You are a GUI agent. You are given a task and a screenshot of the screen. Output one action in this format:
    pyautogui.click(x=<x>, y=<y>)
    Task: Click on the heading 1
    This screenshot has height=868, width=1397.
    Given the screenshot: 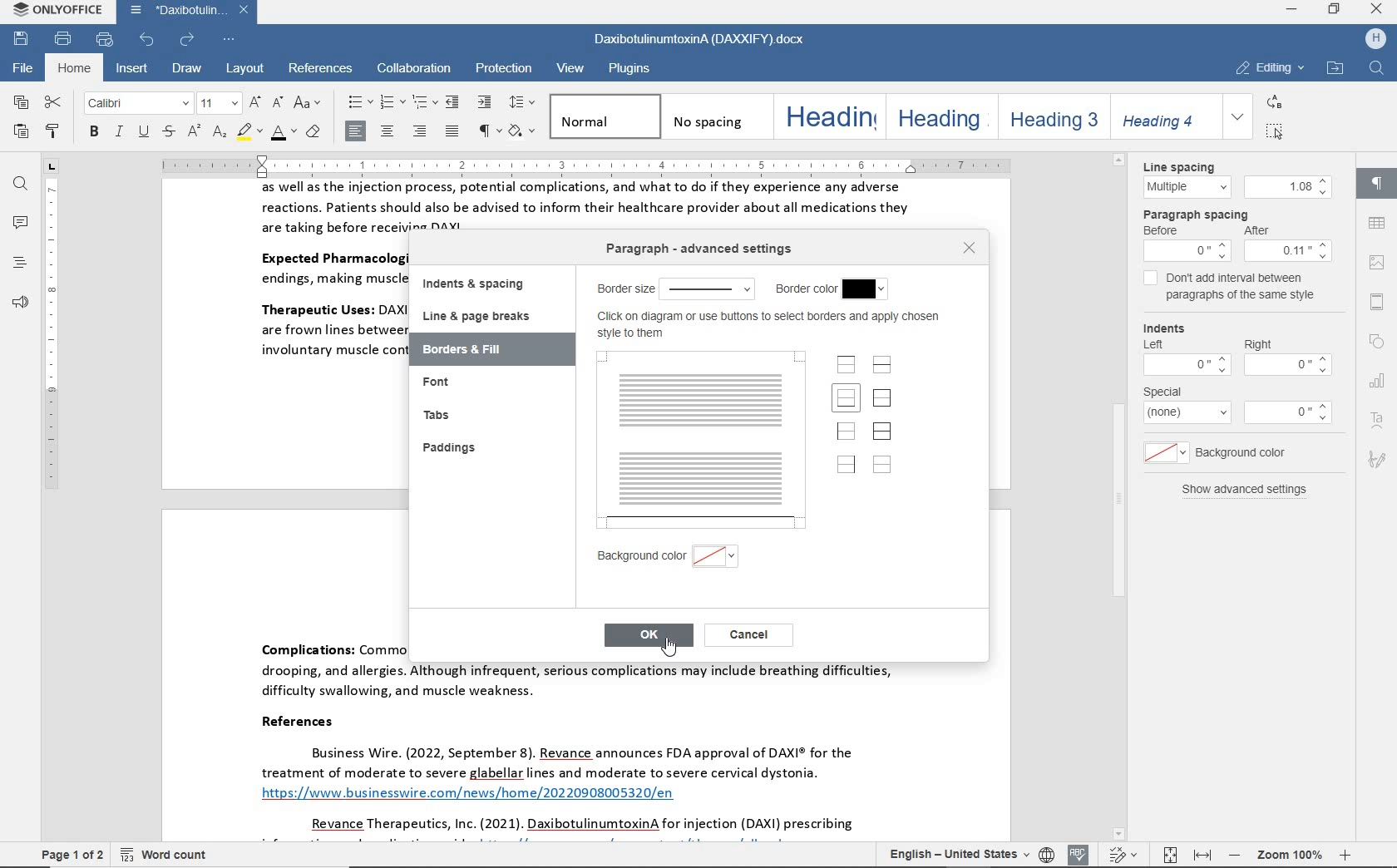 What is the action you would take?
    pyautogui.click(x=827, y=116)
    